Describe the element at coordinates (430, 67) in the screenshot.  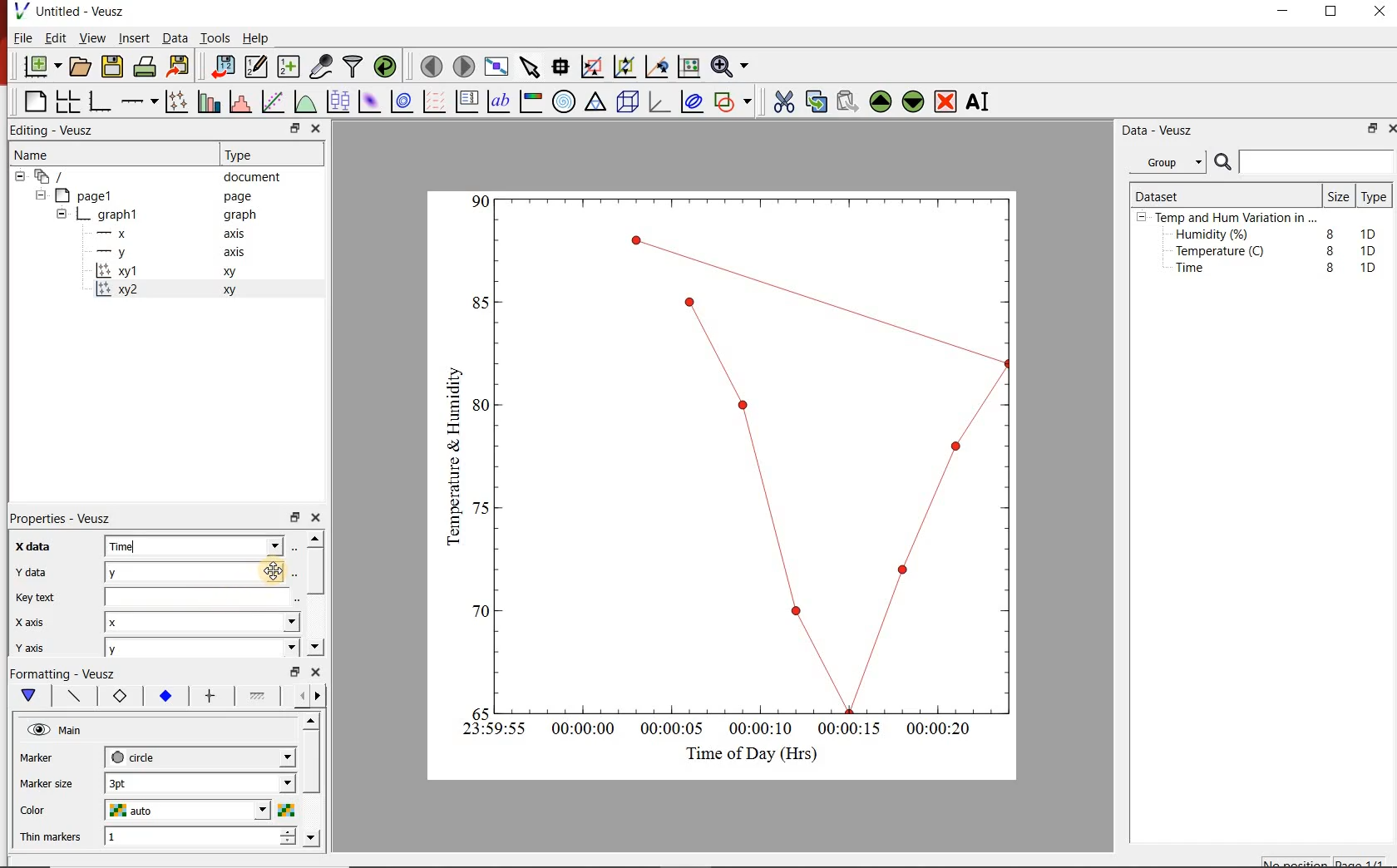
I see `move to the previous page` at that location.